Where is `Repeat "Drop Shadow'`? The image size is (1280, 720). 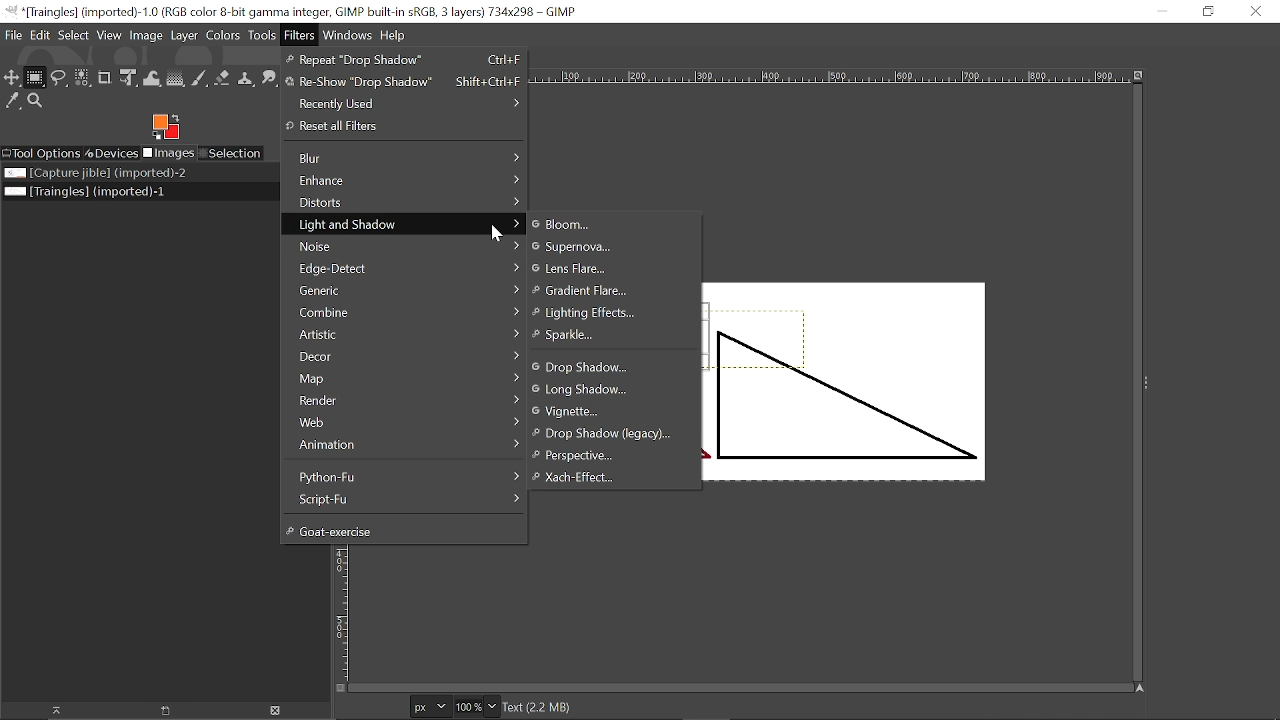
Repeat "Drop Shadow' is located at coordinates (404, 59).